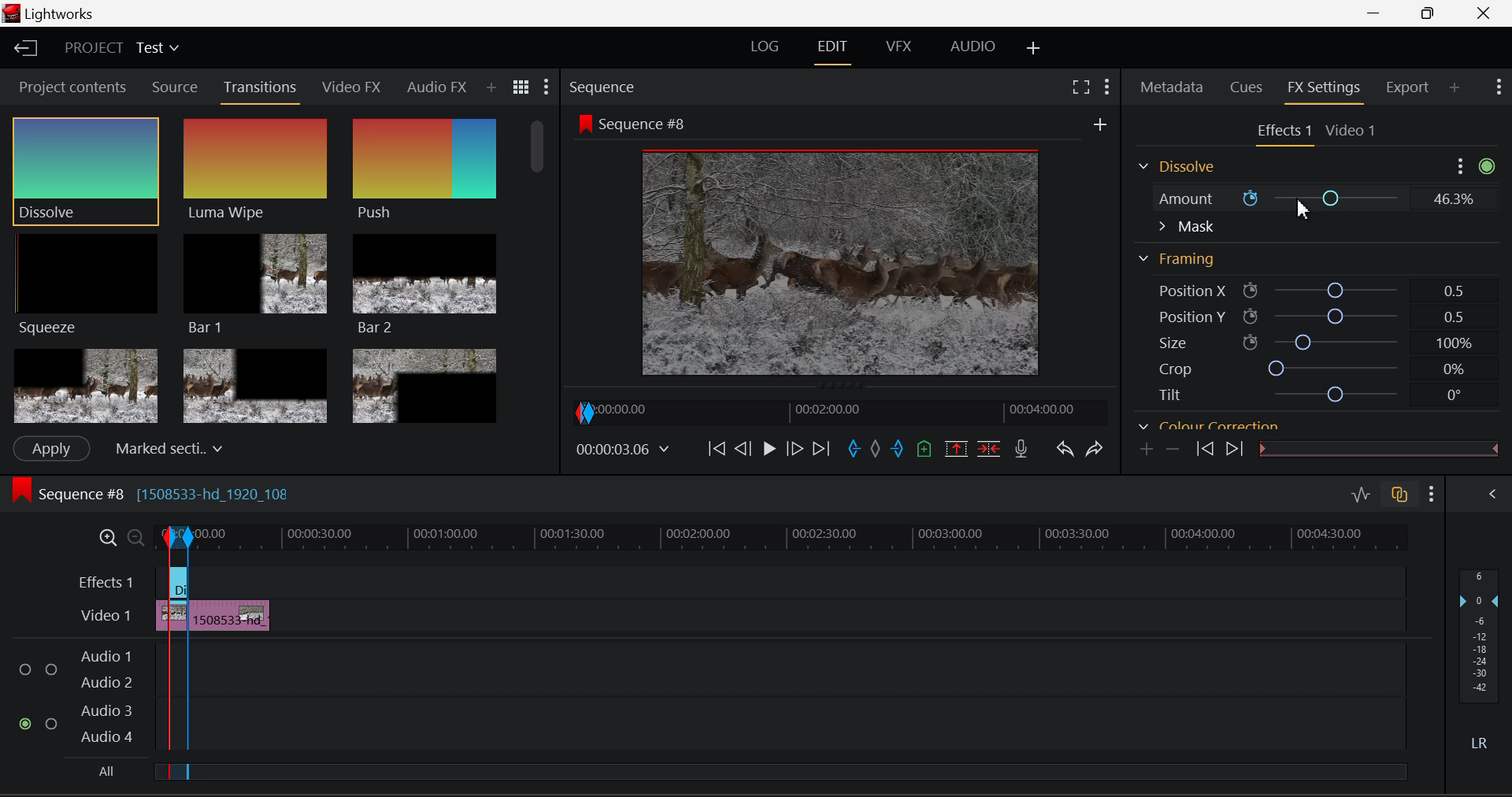  I want to click on EDIT Layout Open, so click(832, 50).